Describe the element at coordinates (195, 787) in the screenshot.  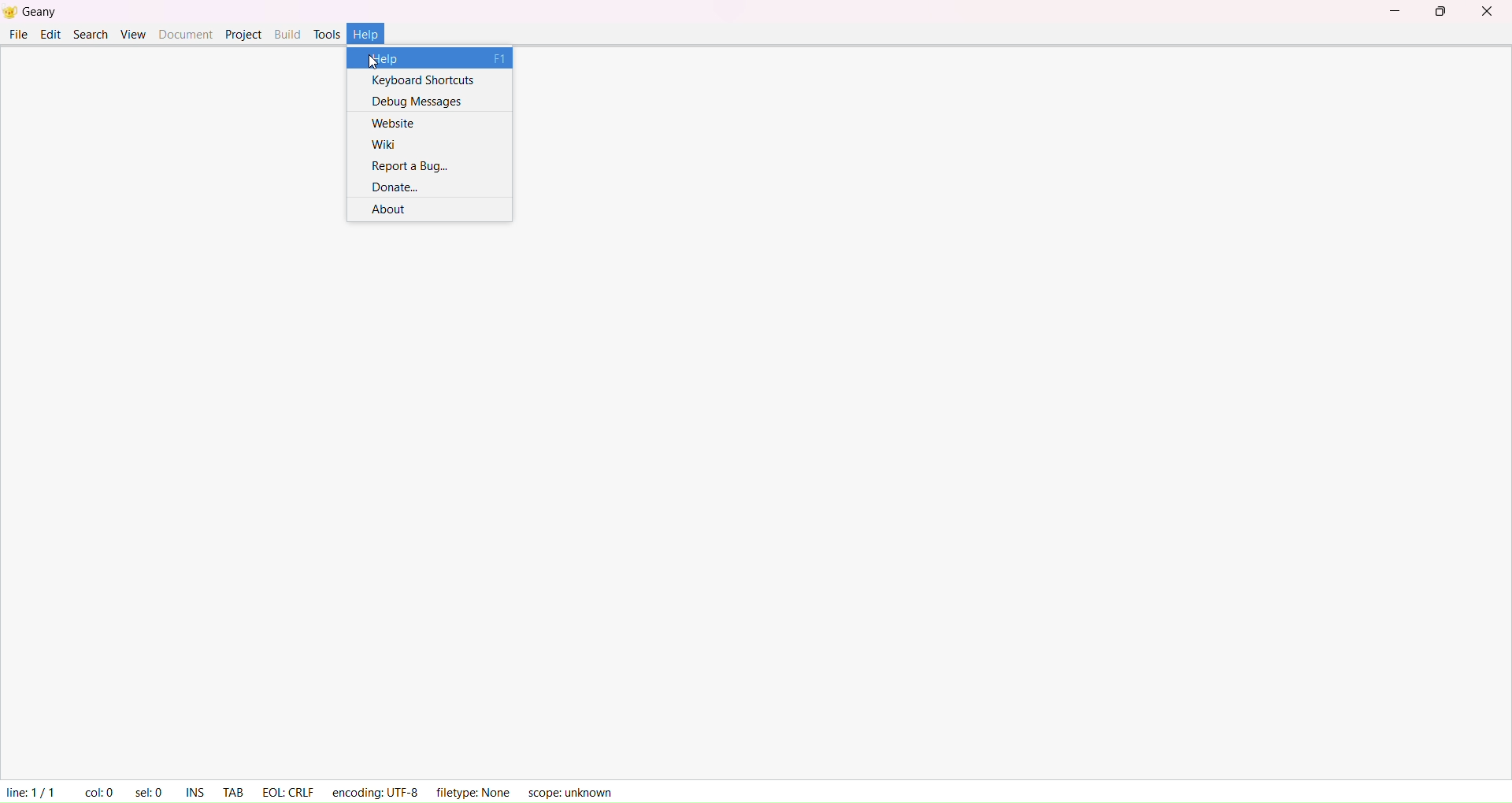
I see `ins` at that location.